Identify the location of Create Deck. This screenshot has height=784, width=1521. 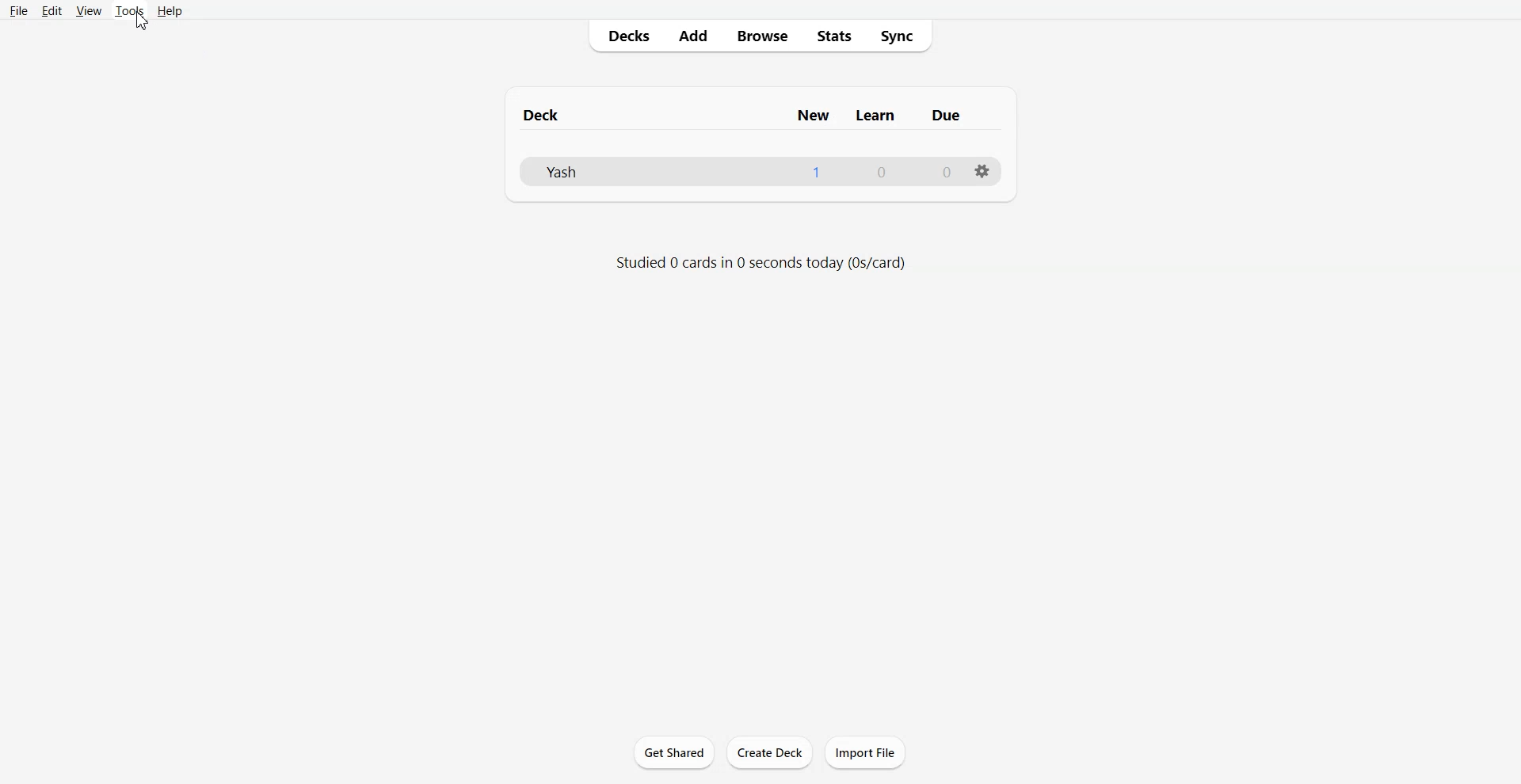
(771, 753).